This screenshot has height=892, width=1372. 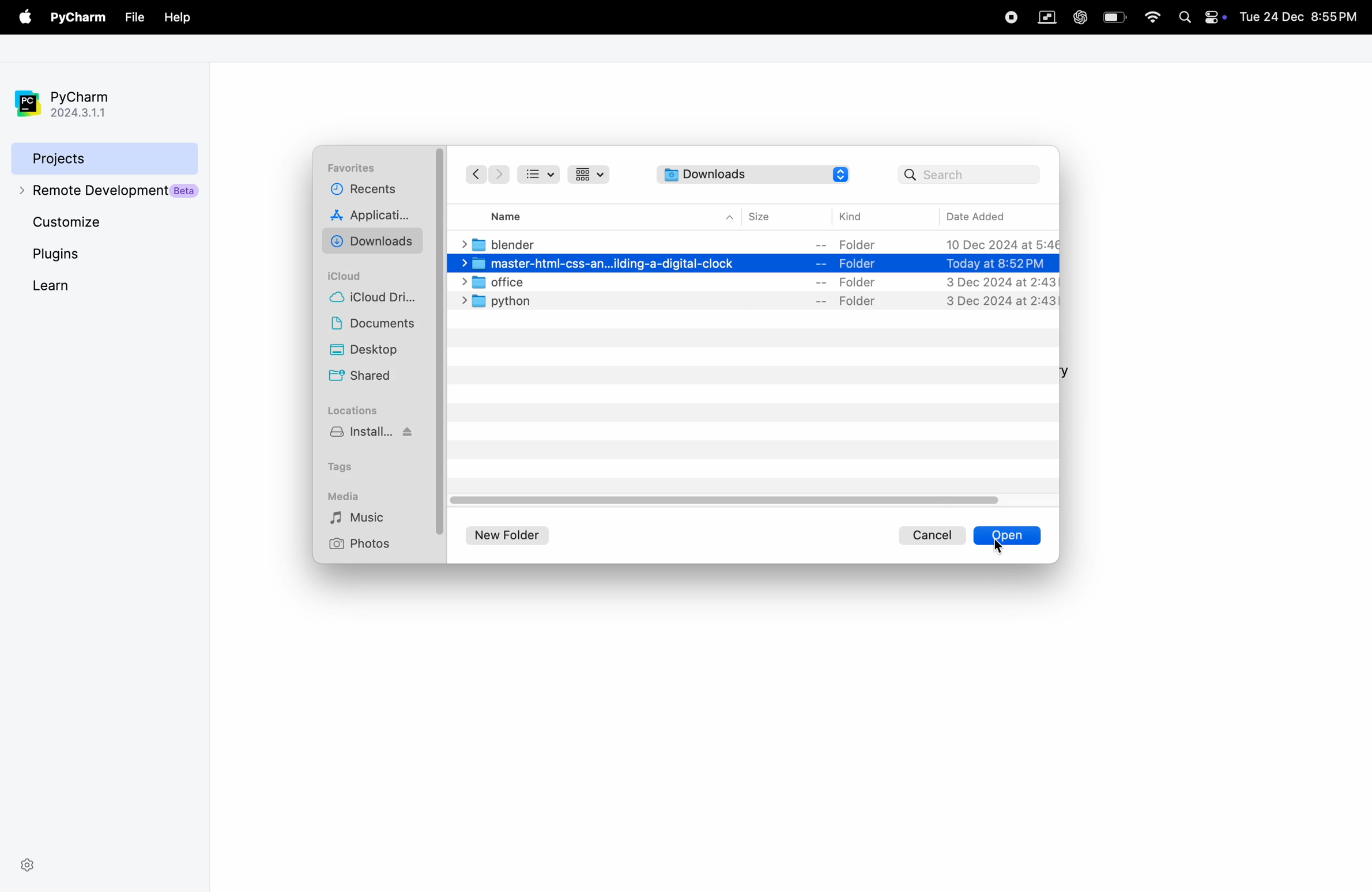 What do you see at coordinates (1185, 16) in the screenshot?
I see `search` at bounding box center [1185, 16].